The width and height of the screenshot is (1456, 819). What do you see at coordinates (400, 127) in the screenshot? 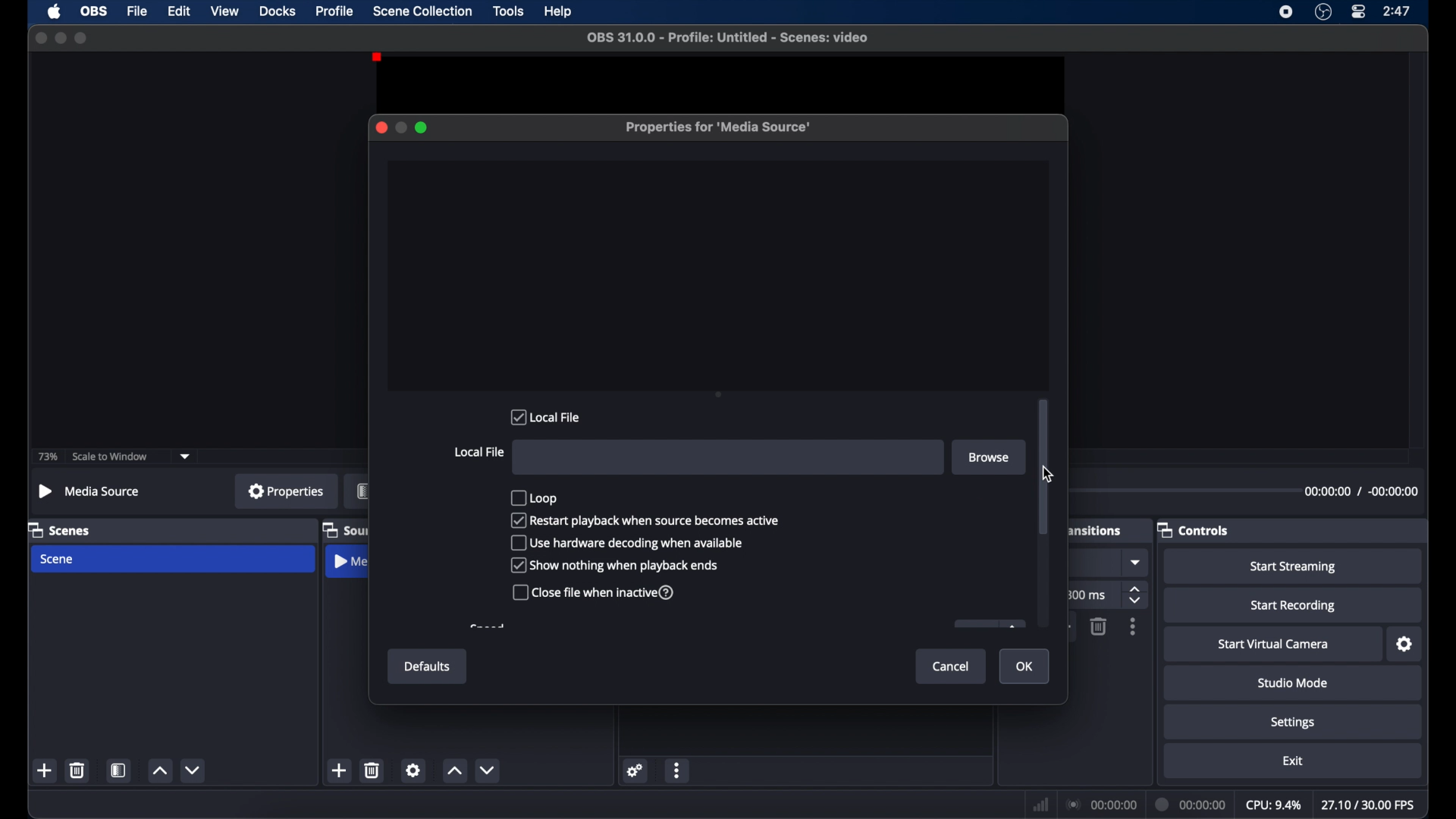
I see `minimize` at bounding box center [400, 127].